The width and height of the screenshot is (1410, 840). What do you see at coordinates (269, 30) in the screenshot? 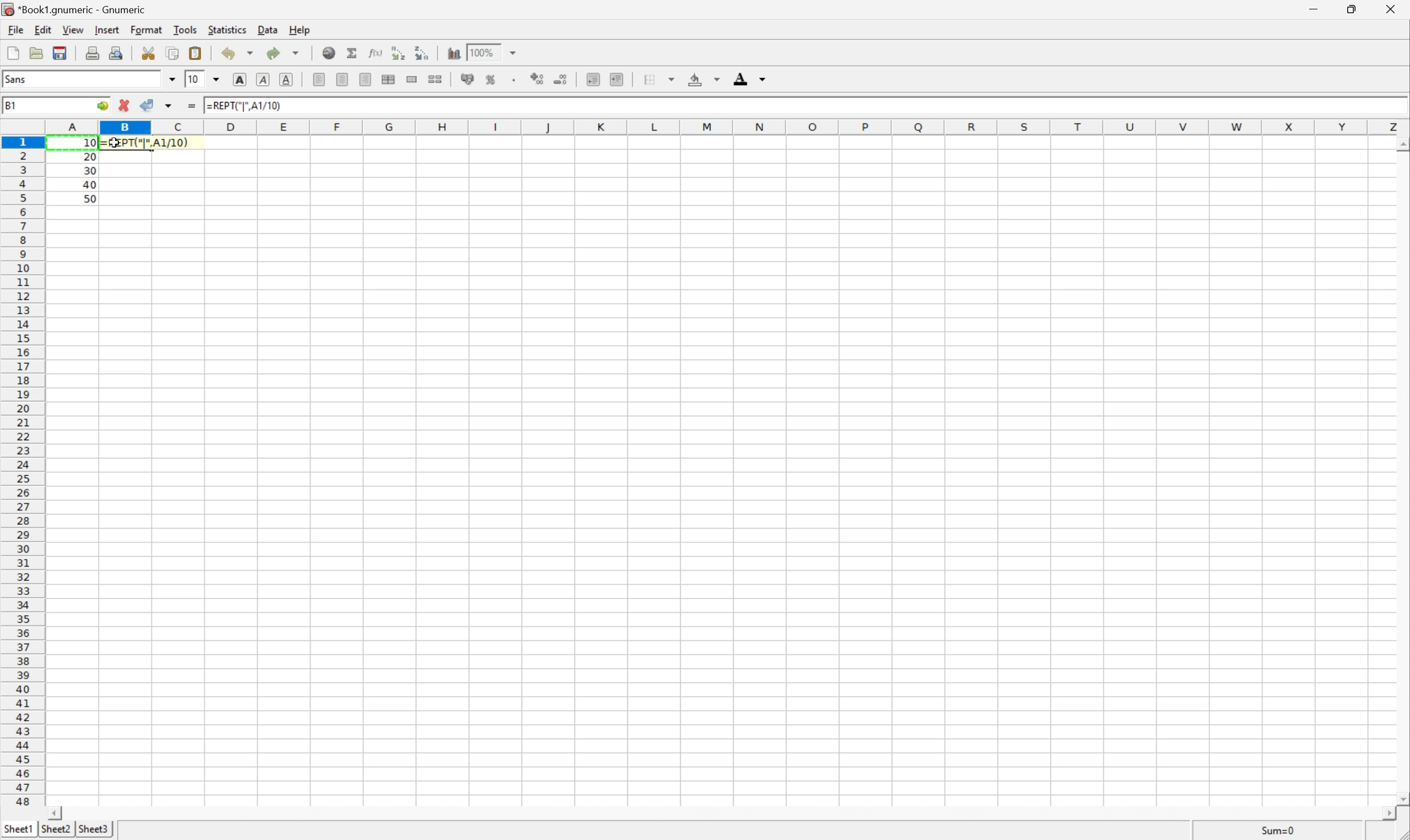
I see `Data` at bounding box center [269, 30].